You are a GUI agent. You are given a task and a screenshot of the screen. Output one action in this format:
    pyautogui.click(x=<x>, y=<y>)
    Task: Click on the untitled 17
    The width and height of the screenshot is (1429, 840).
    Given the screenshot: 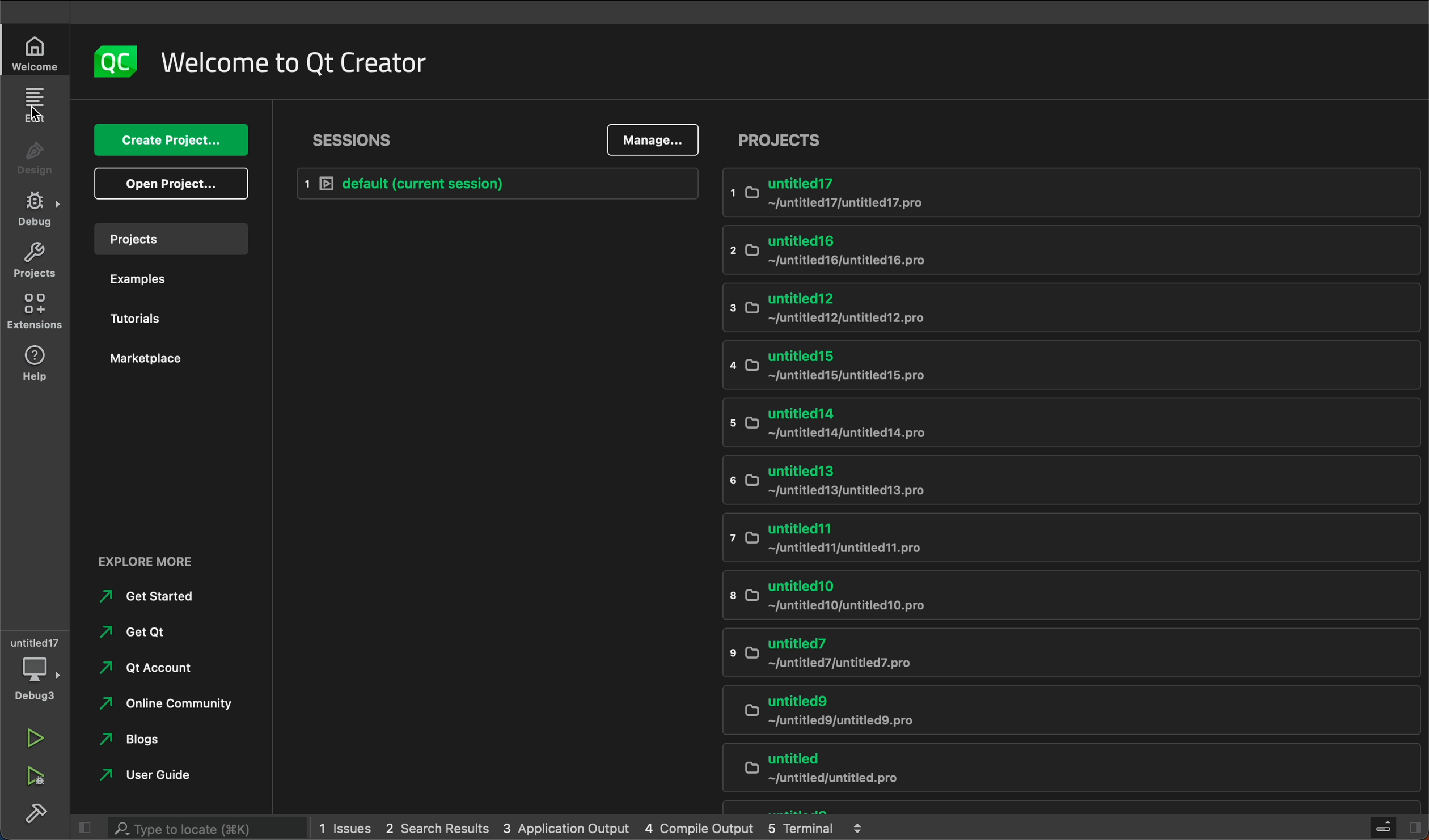 What is the action you would take?
    pyautogui.click(x=1071, y=190)
    